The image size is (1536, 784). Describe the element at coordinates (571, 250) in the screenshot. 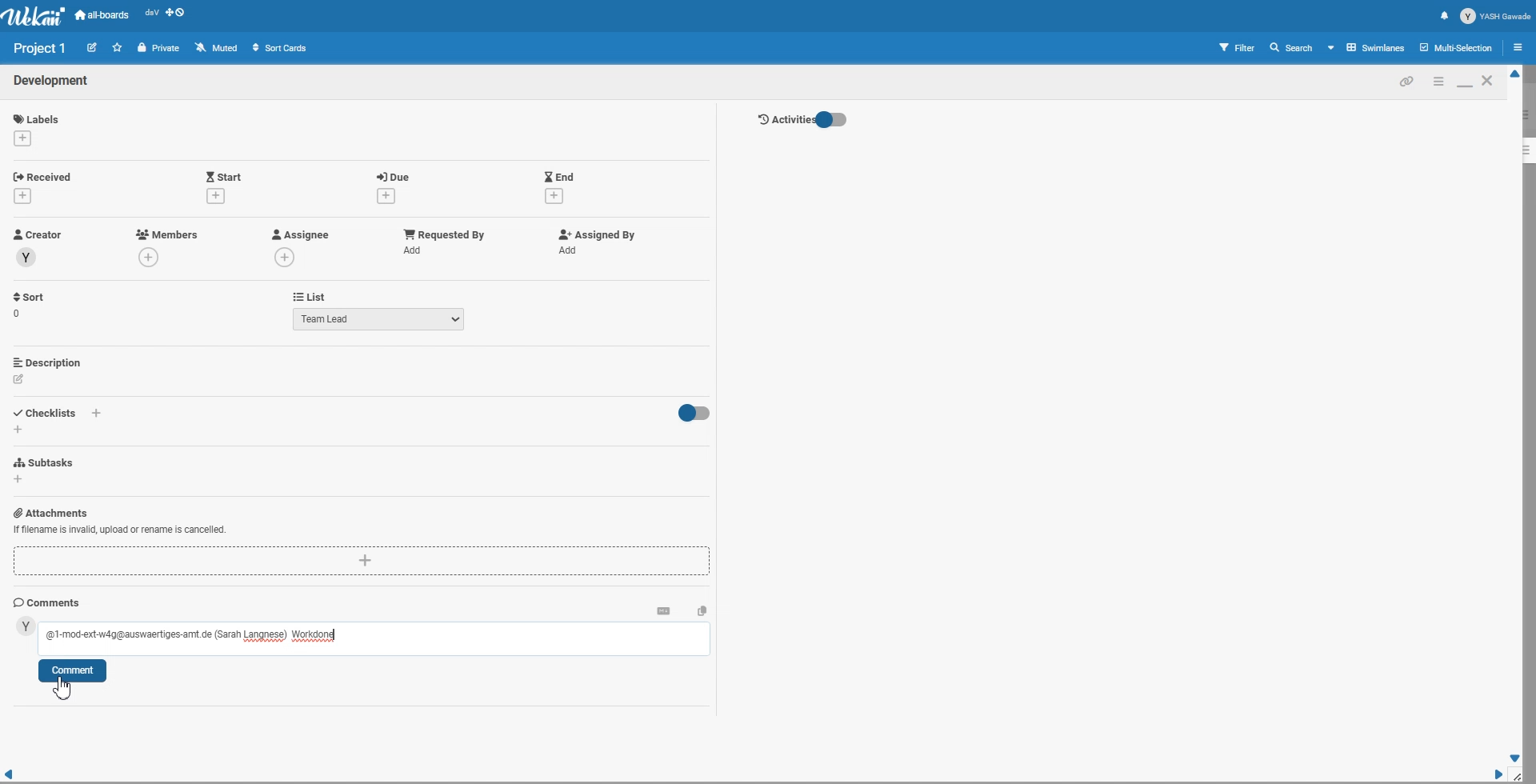

I see `add` at that location.